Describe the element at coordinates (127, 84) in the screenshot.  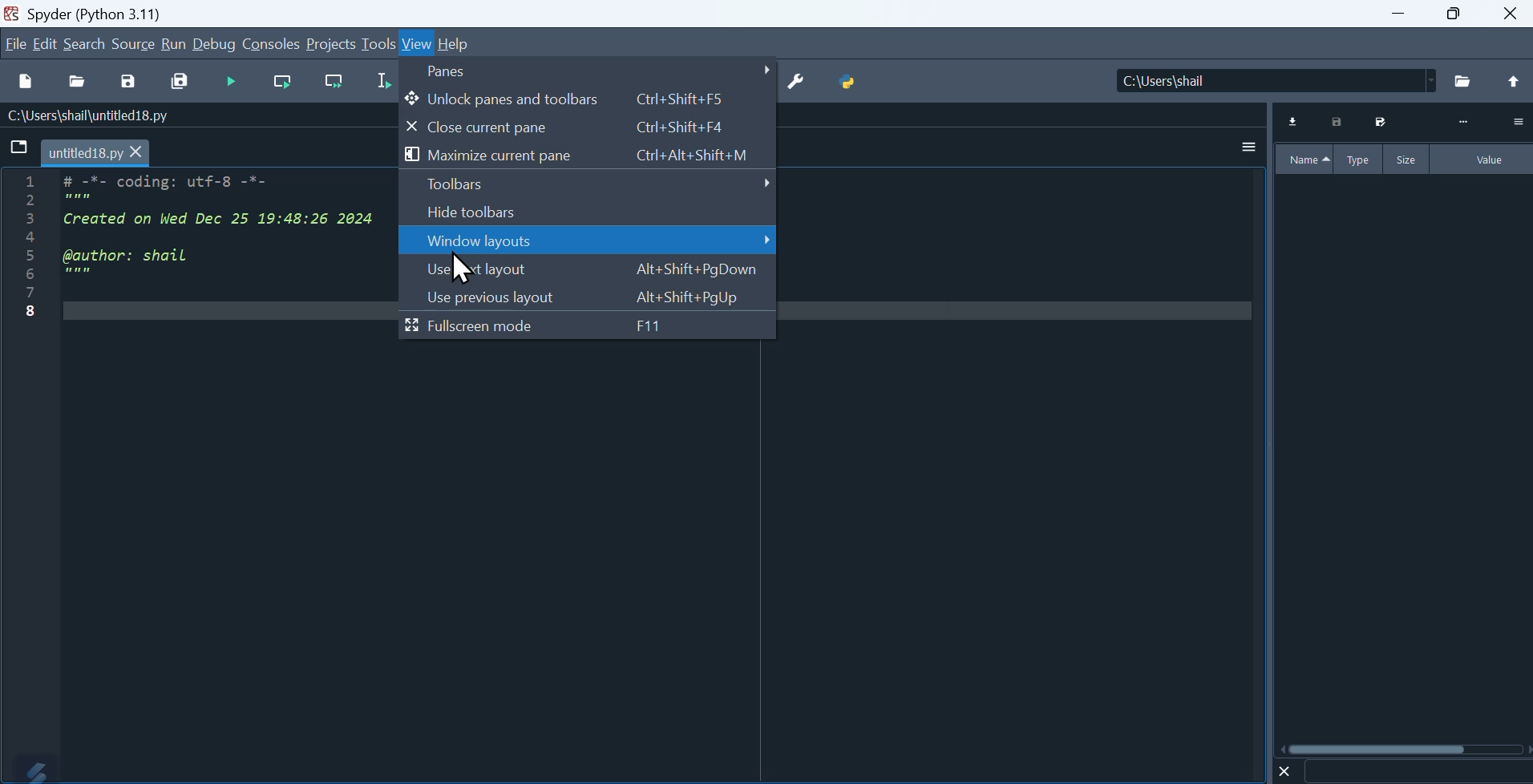
I see `save` at that location.